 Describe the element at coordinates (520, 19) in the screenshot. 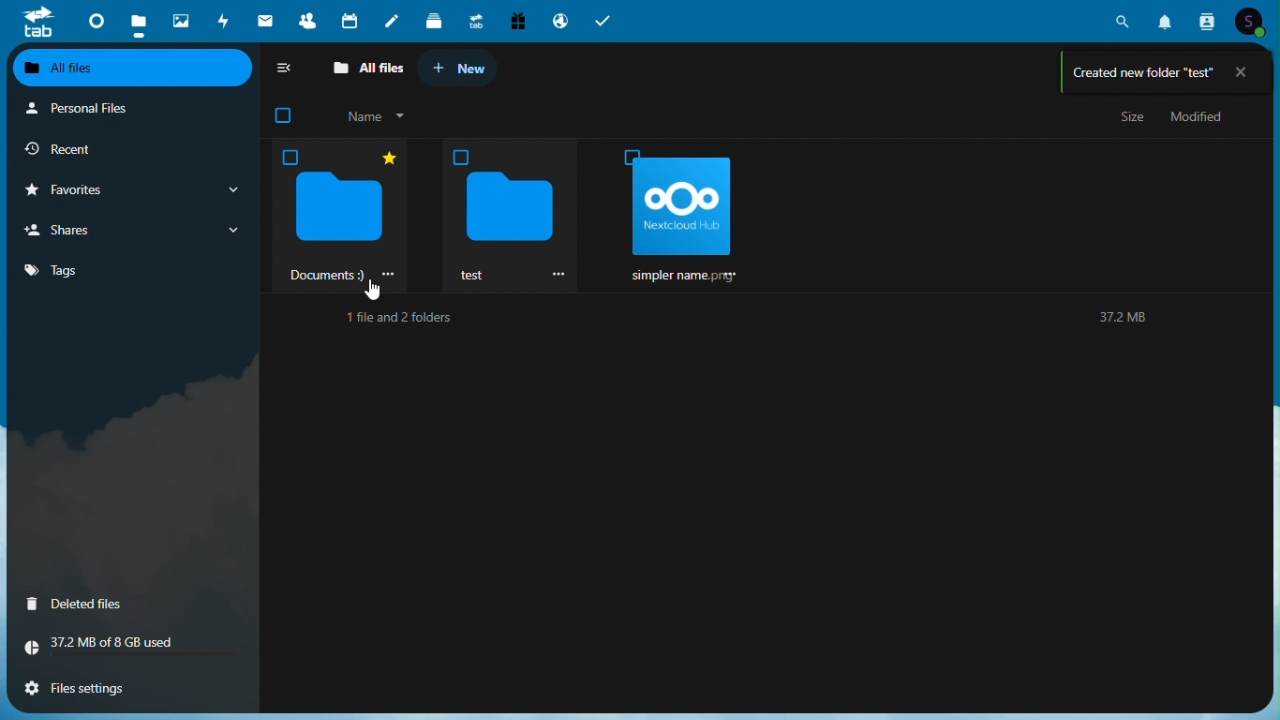

I see `Free trial` at that location.